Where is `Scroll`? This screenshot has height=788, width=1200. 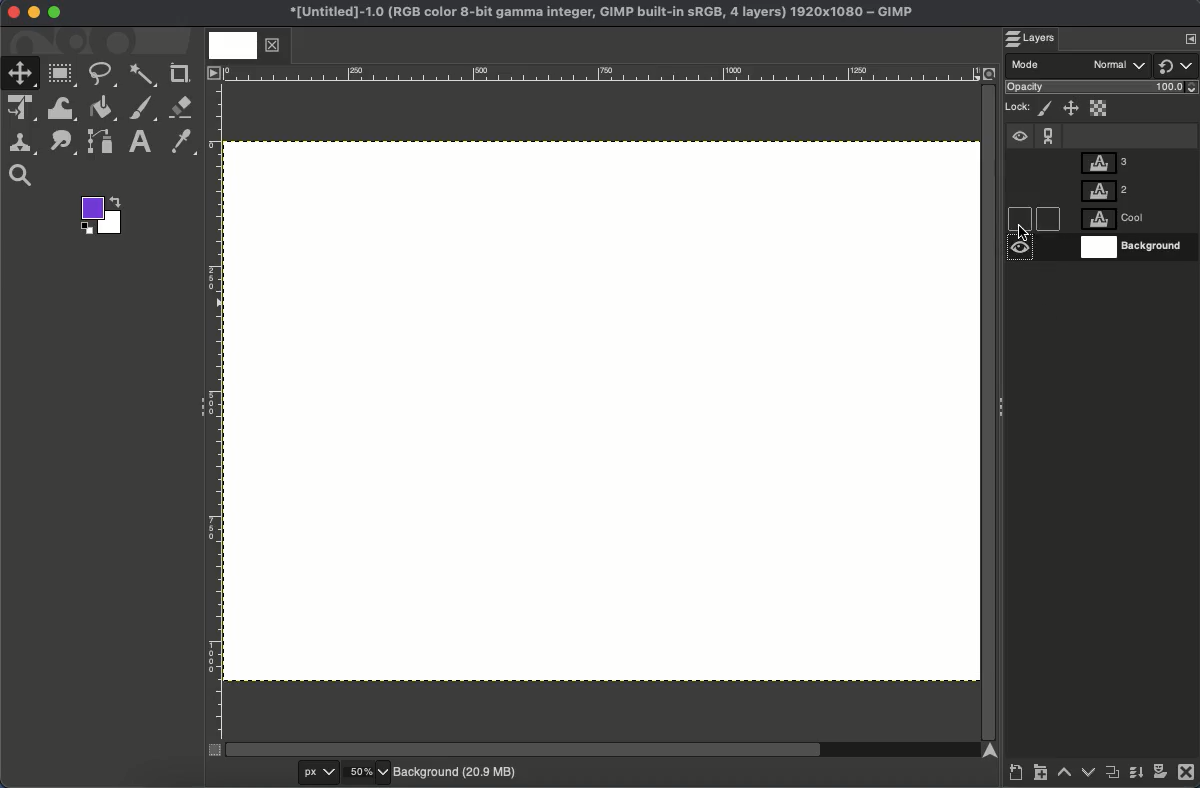
Scroll is located at coordinates (603, 750).